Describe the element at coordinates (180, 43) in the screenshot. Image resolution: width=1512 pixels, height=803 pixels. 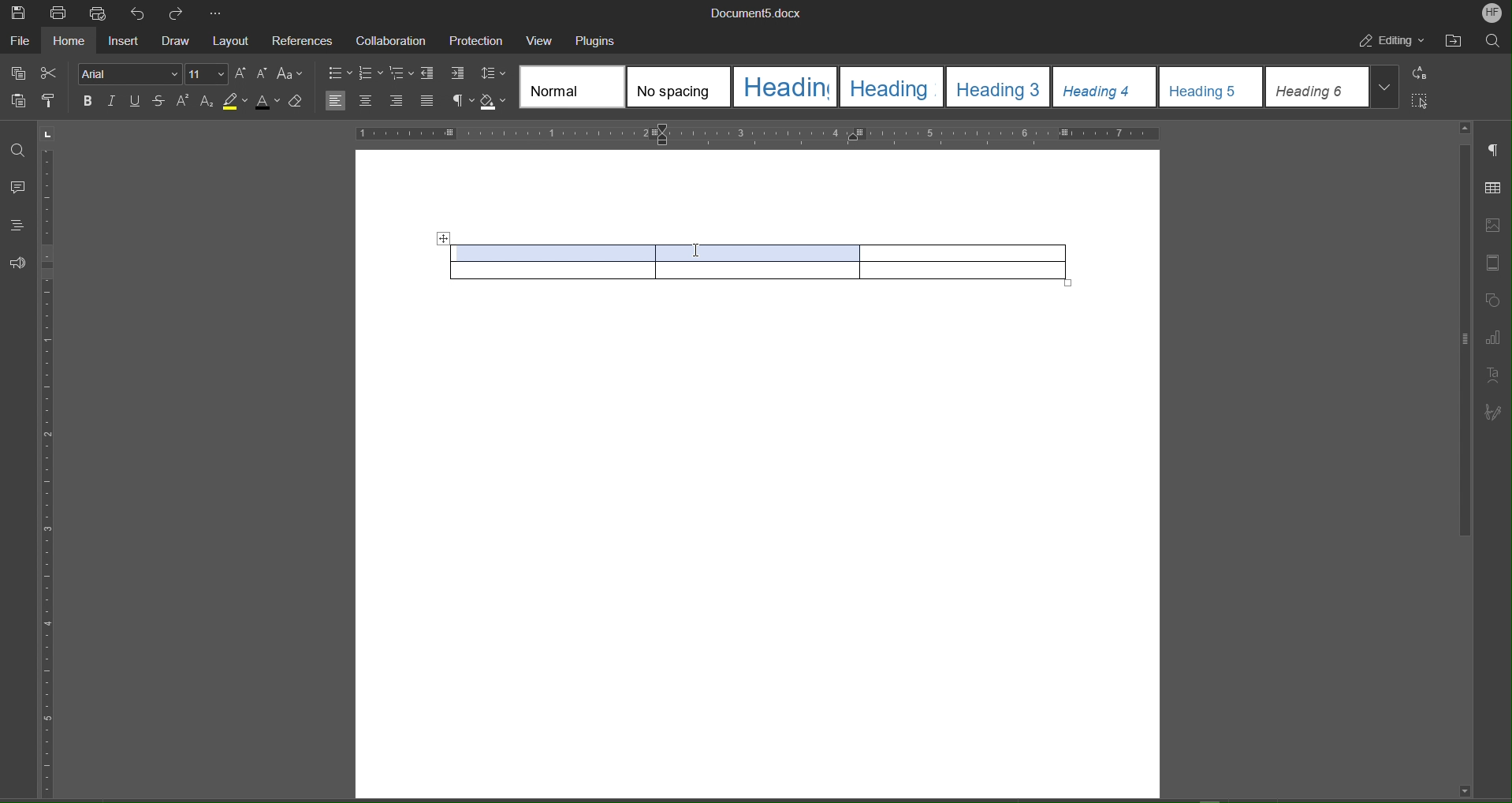
I see `Draw` at that location.